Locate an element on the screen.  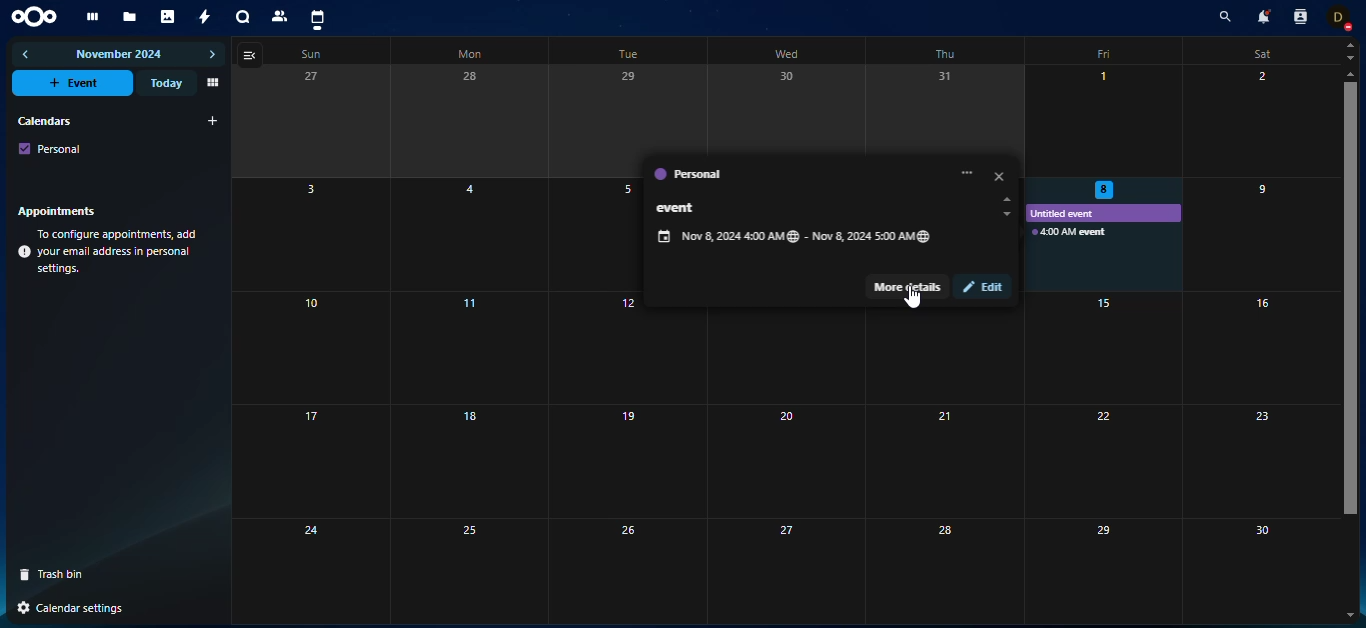
thu is located at coordinates (945, 55).